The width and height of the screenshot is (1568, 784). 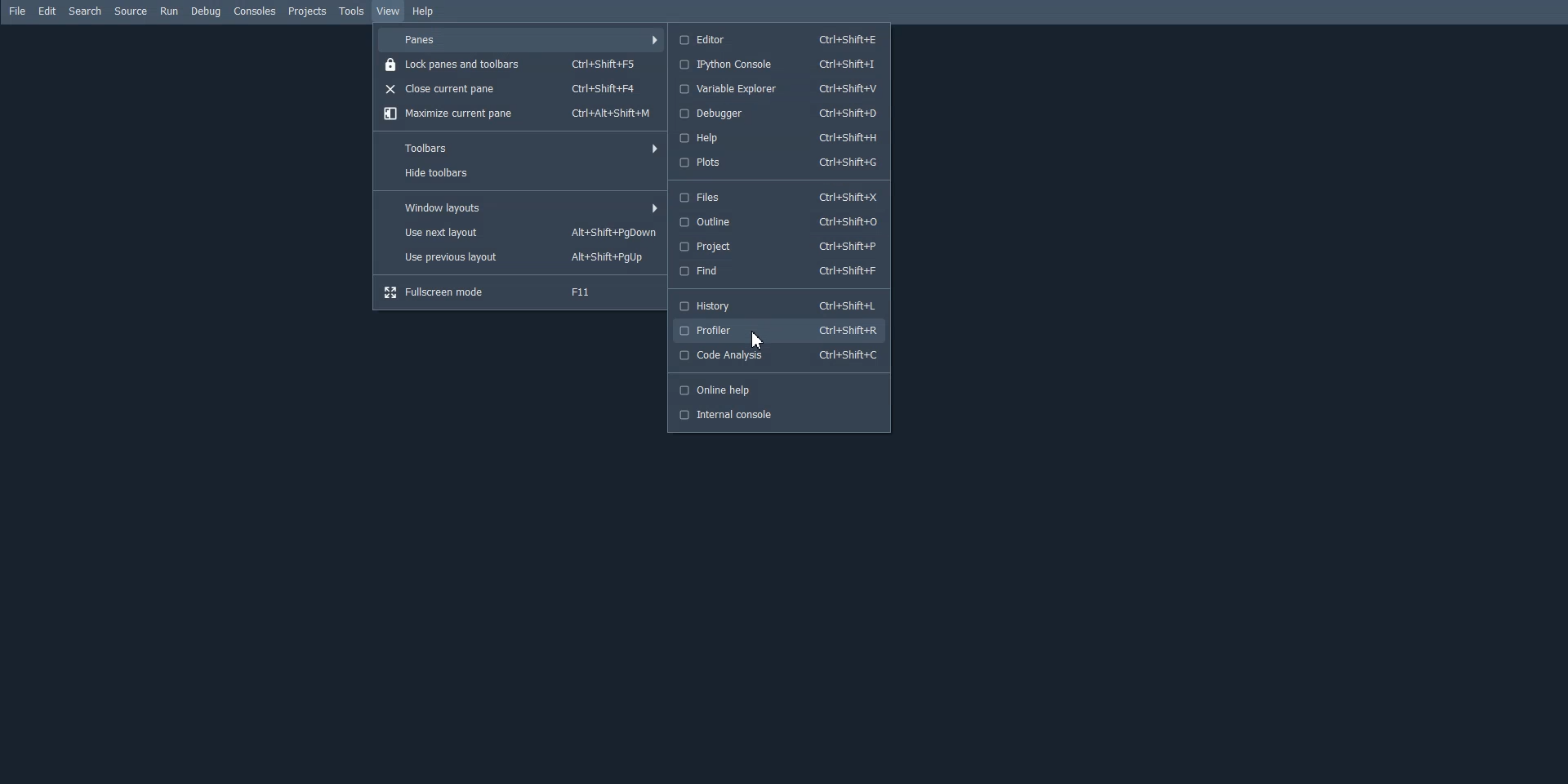 I want to click on Tools, so click(x=352, y=11).